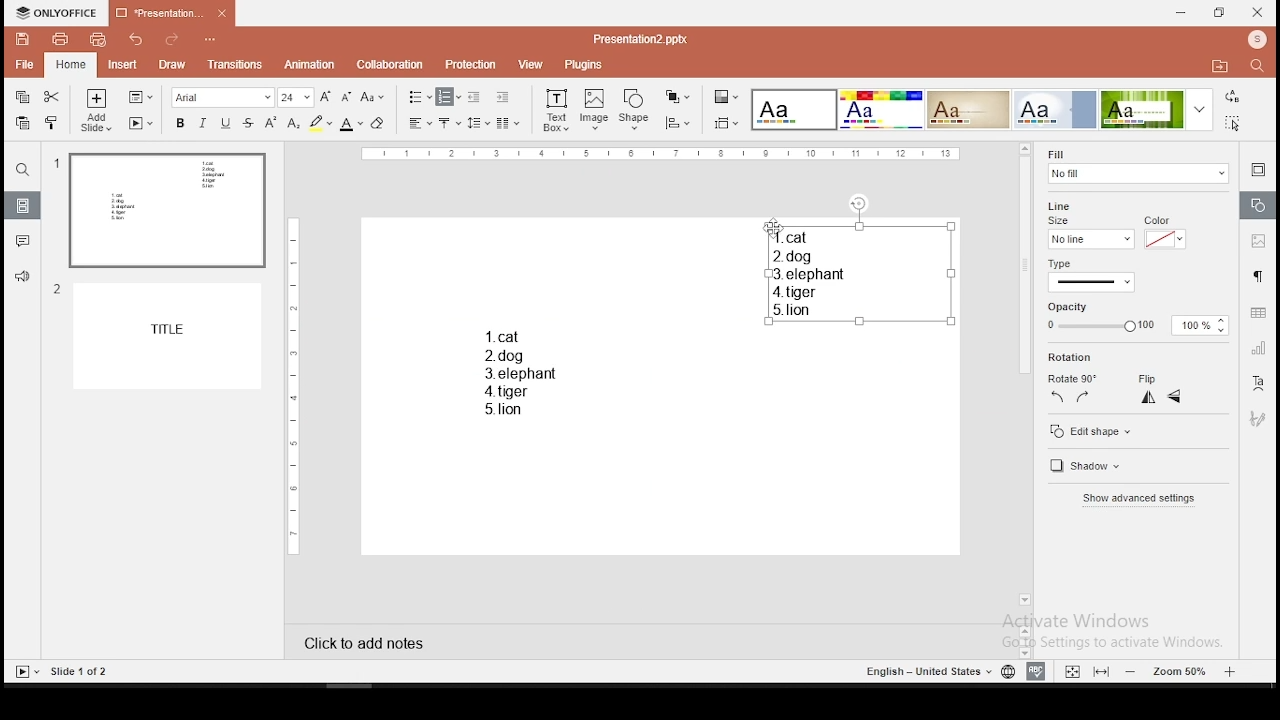  I want to click on type, so click(1065, 263).